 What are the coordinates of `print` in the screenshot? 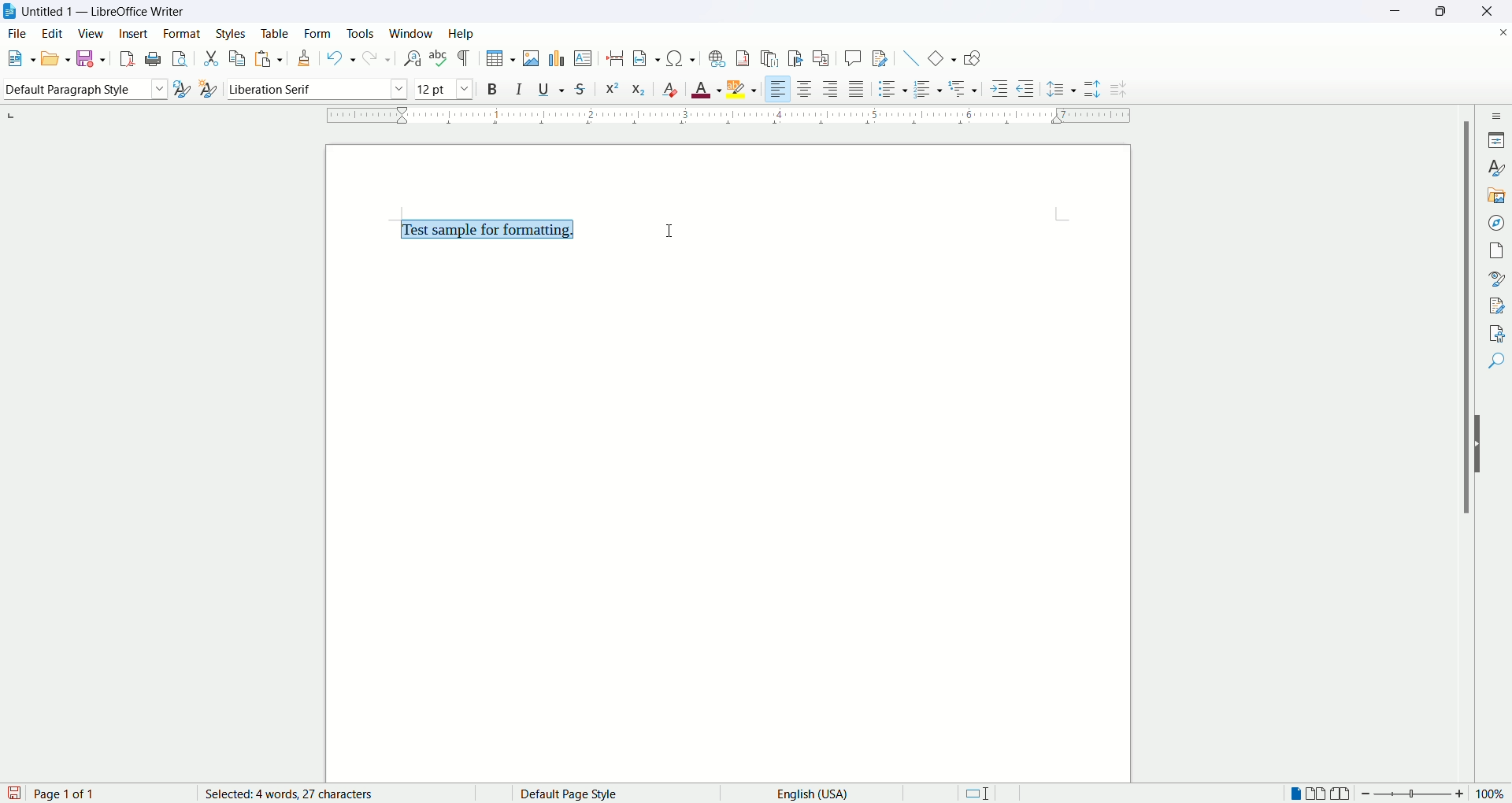 It's located at (154, 60).